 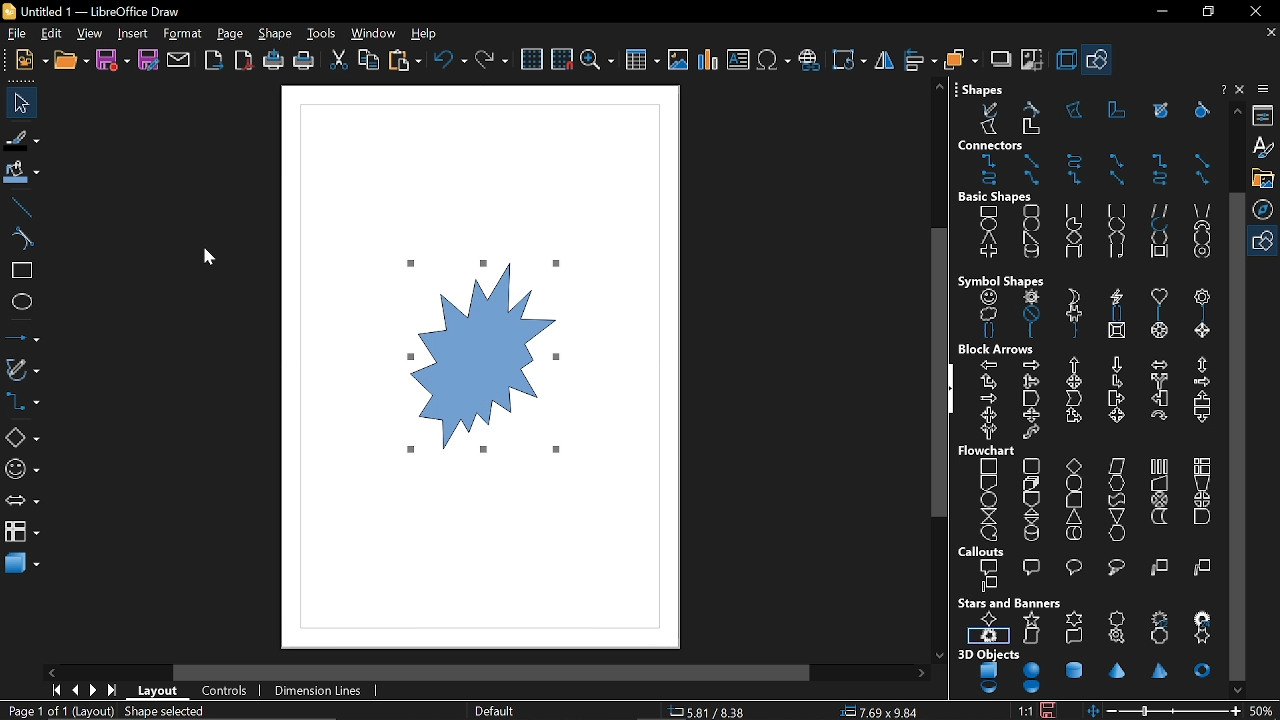 I want to click on Connectors, so click(x=1087, y=163).